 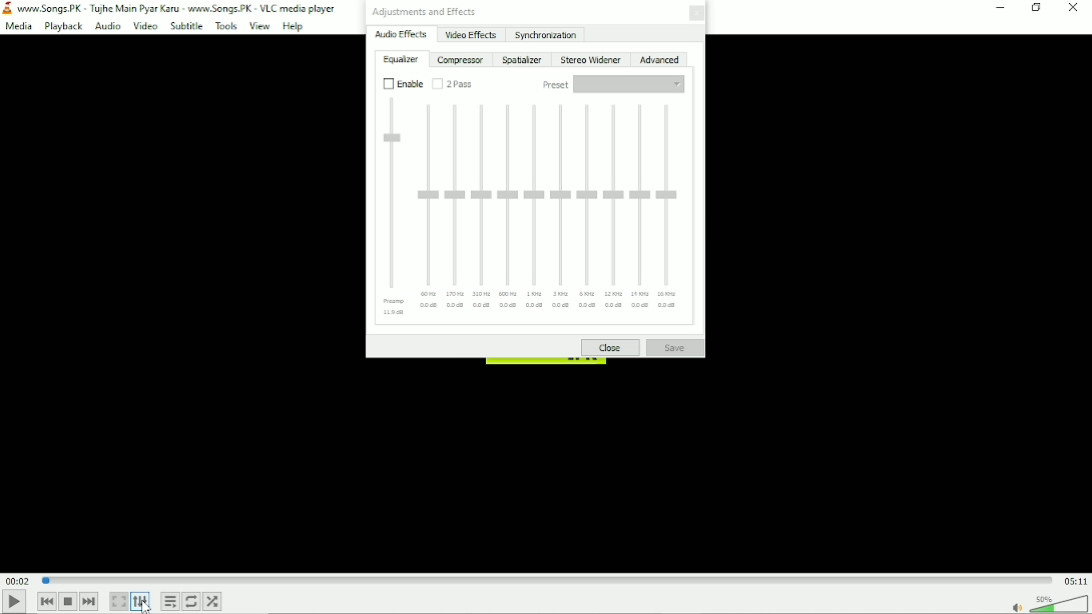 What do you see at coordinates (108, 27) in the screenshot?
I see `Audio` at bounding box center [108, 27].